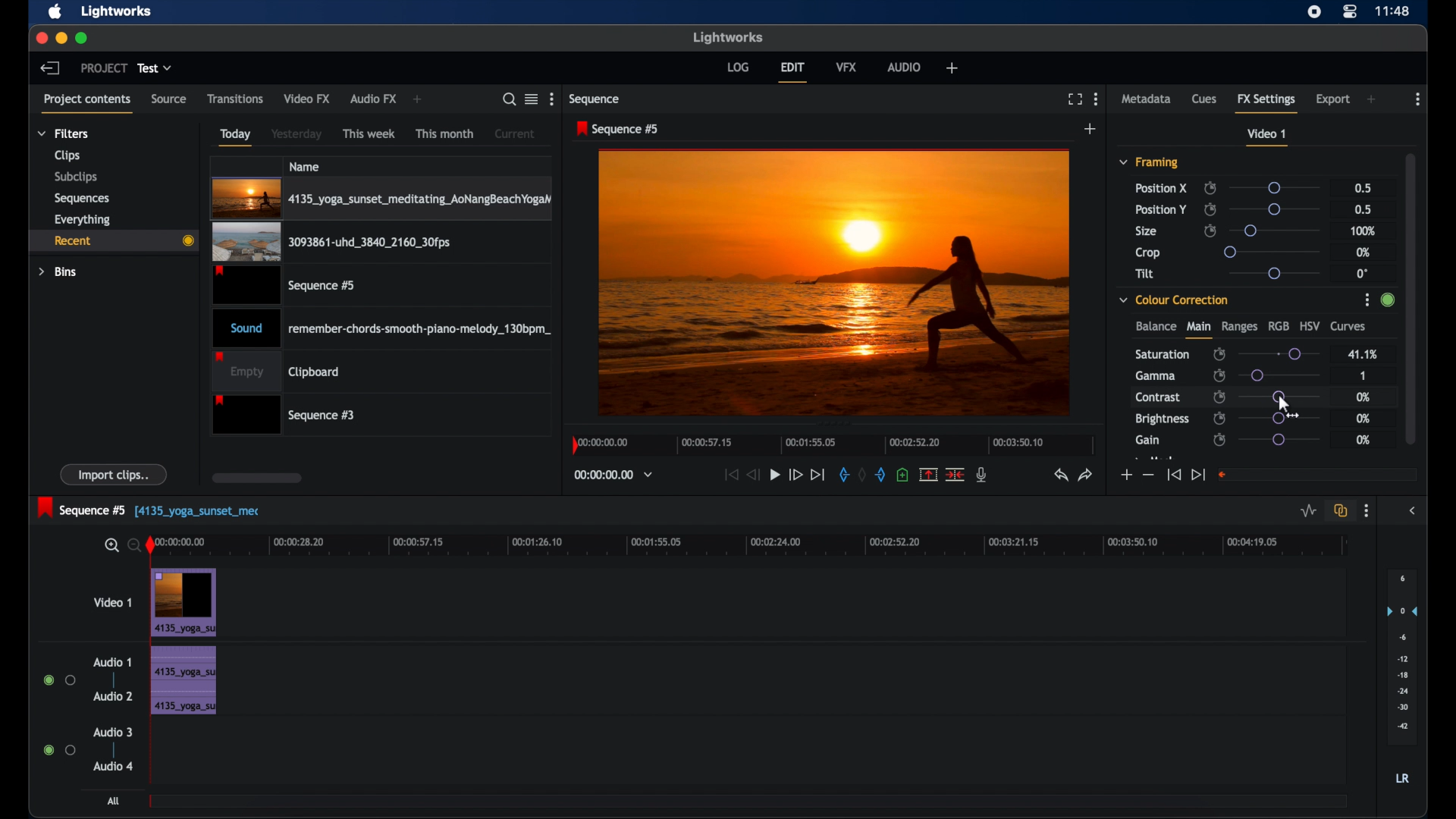 This screenshot has width=1456, height=819. What do you see at coordinates (331, 243) in the screenshot?
I see `video clip` at bounding box center [331, 243].